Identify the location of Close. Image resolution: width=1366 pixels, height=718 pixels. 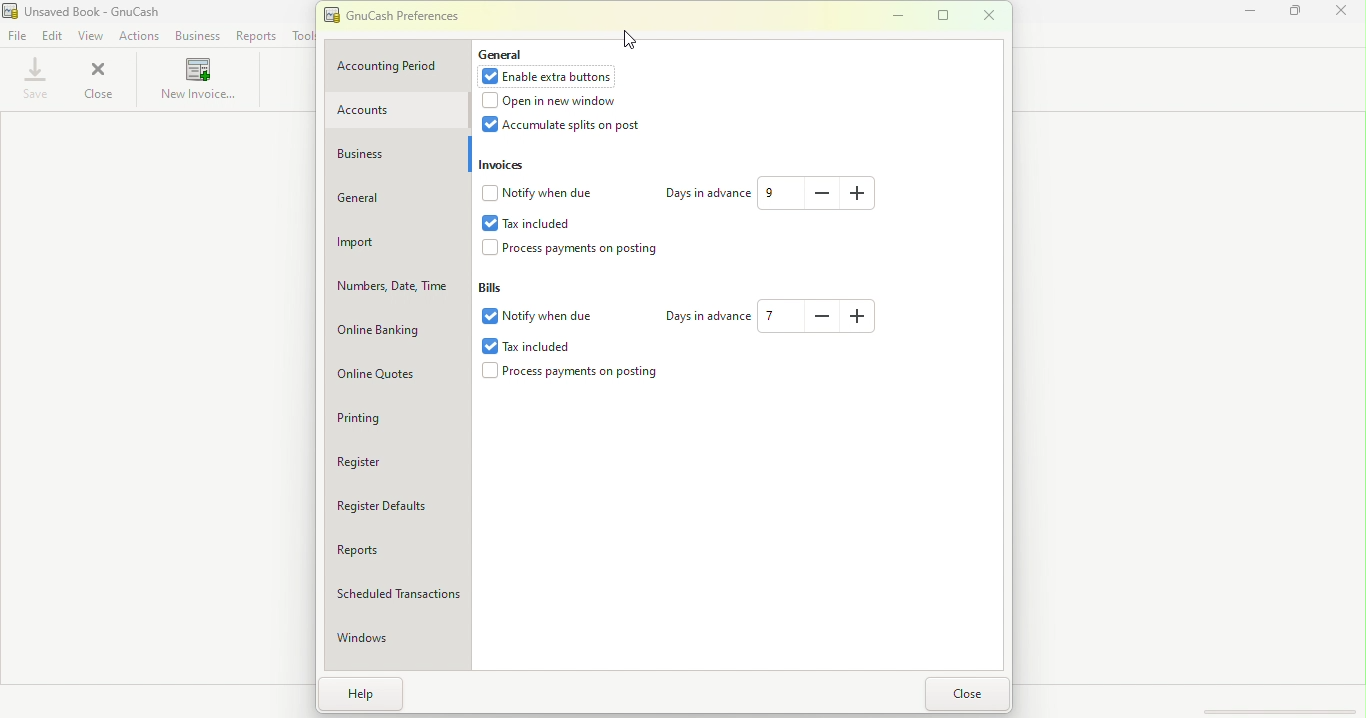
(960, 700).